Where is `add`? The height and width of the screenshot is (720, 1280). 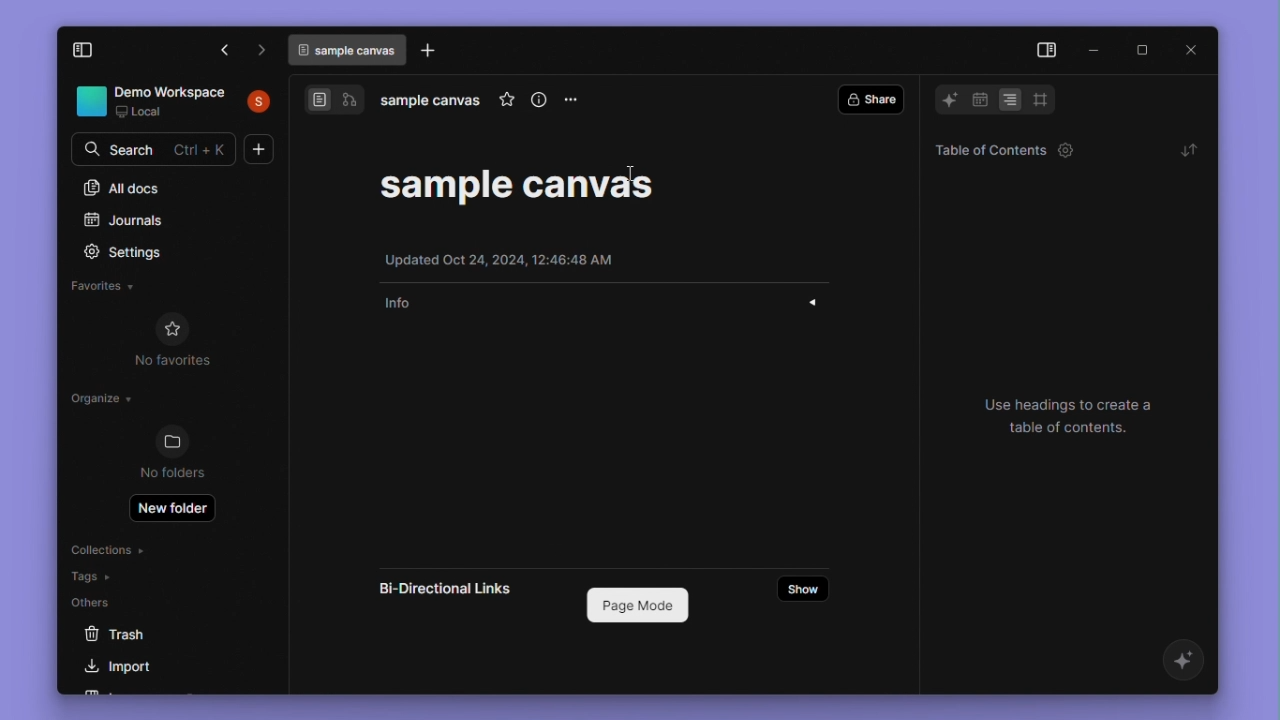 add is located at coordinates (259, 149).